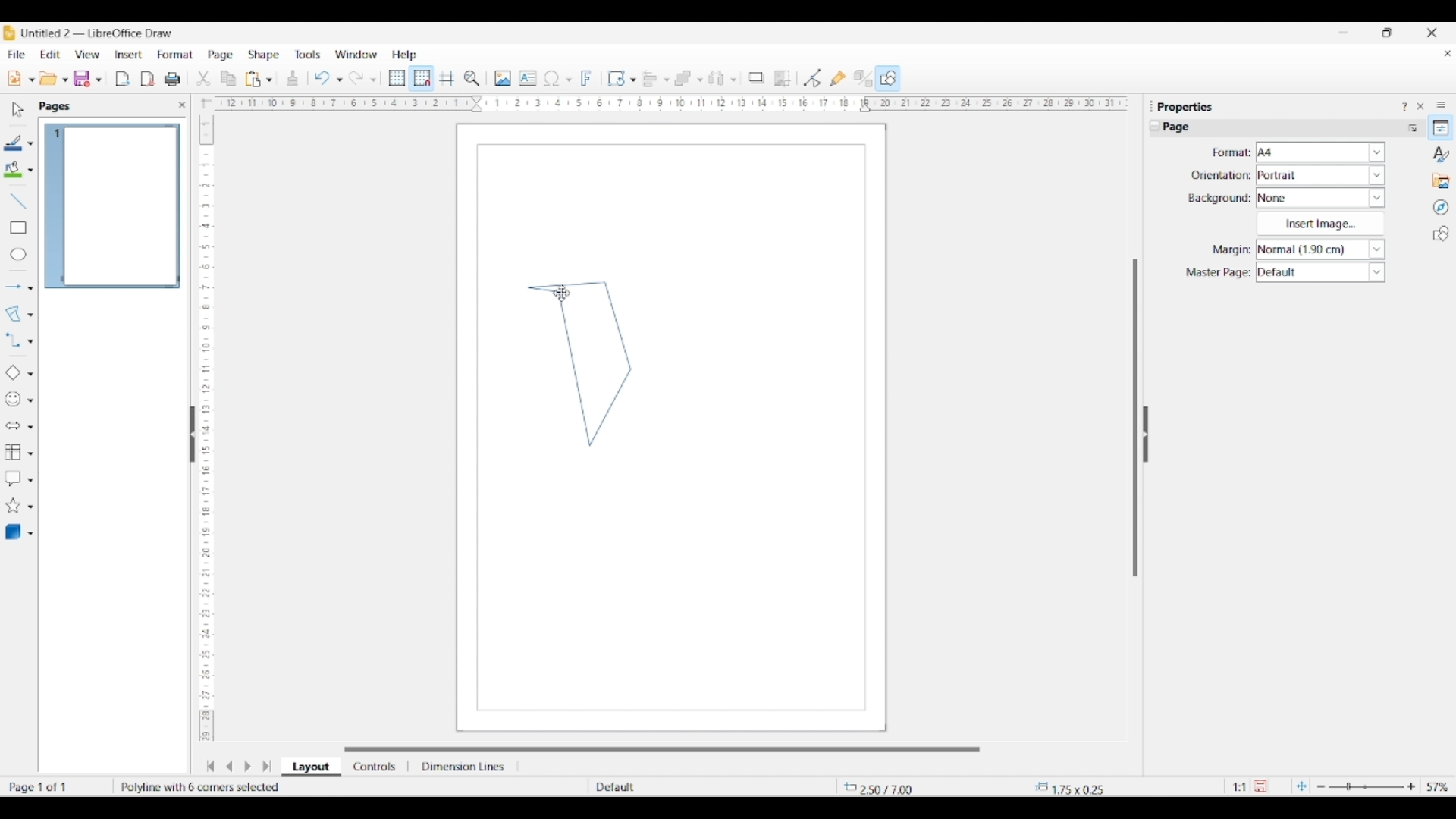  Describe the element at coordinates (30, 480) in the screenshot. I see `Callout shape options` at that location.